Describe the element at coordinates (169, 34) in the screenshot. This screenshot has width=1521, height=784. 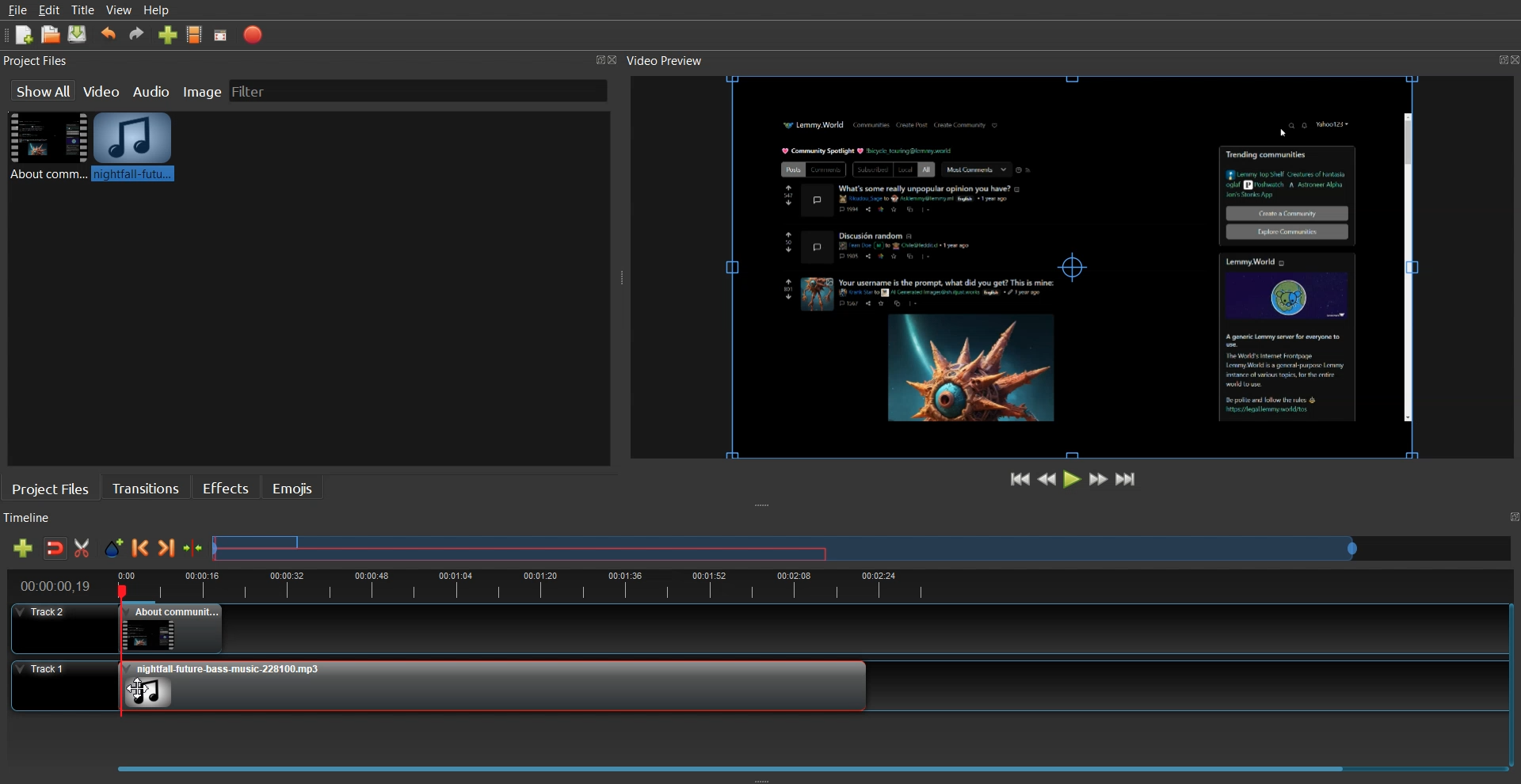
I see `Import file` at that location.